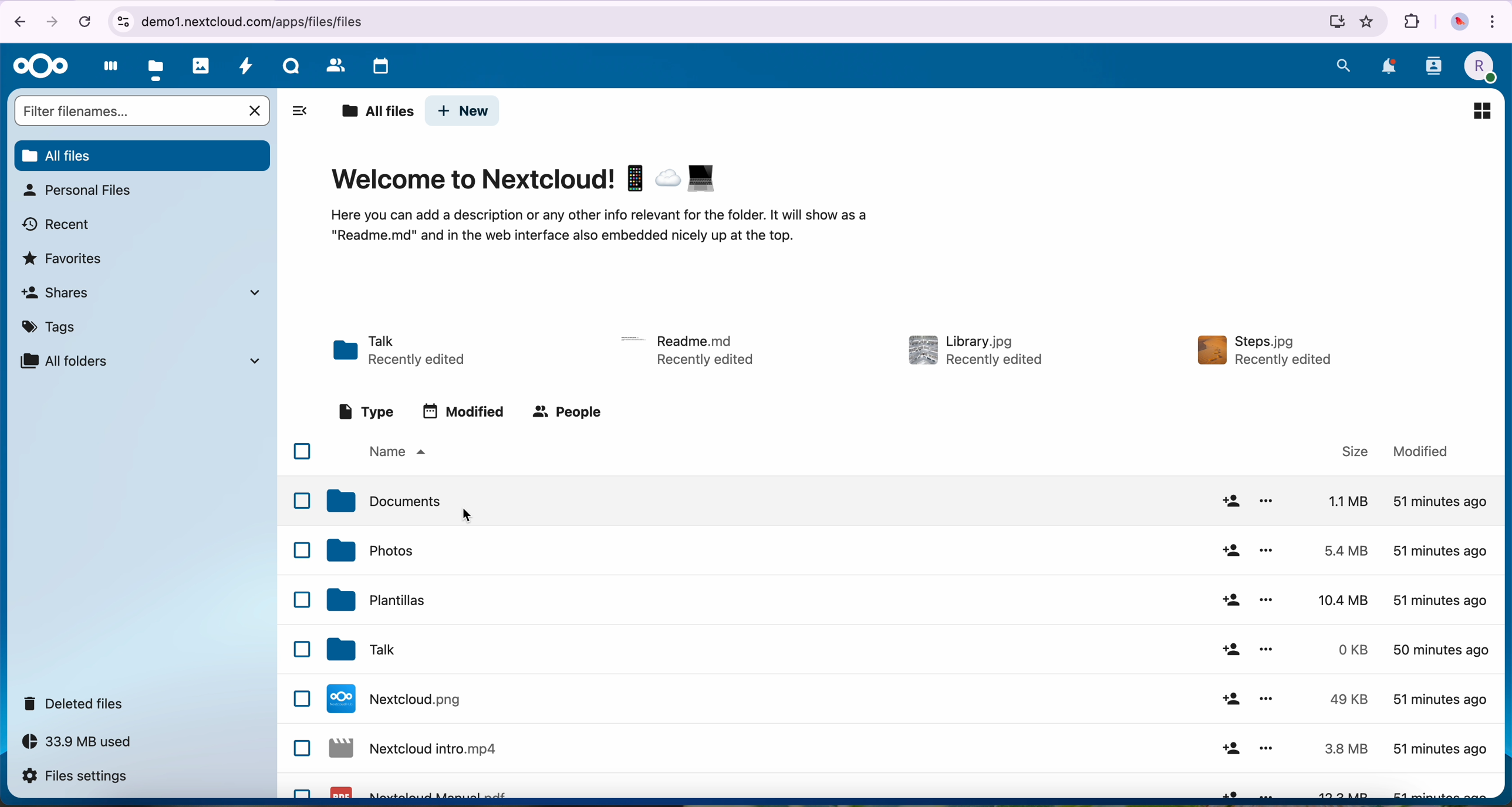  Describe the element at coordinates (1433, 70) in the screenshot. I see `contacts` at that location.